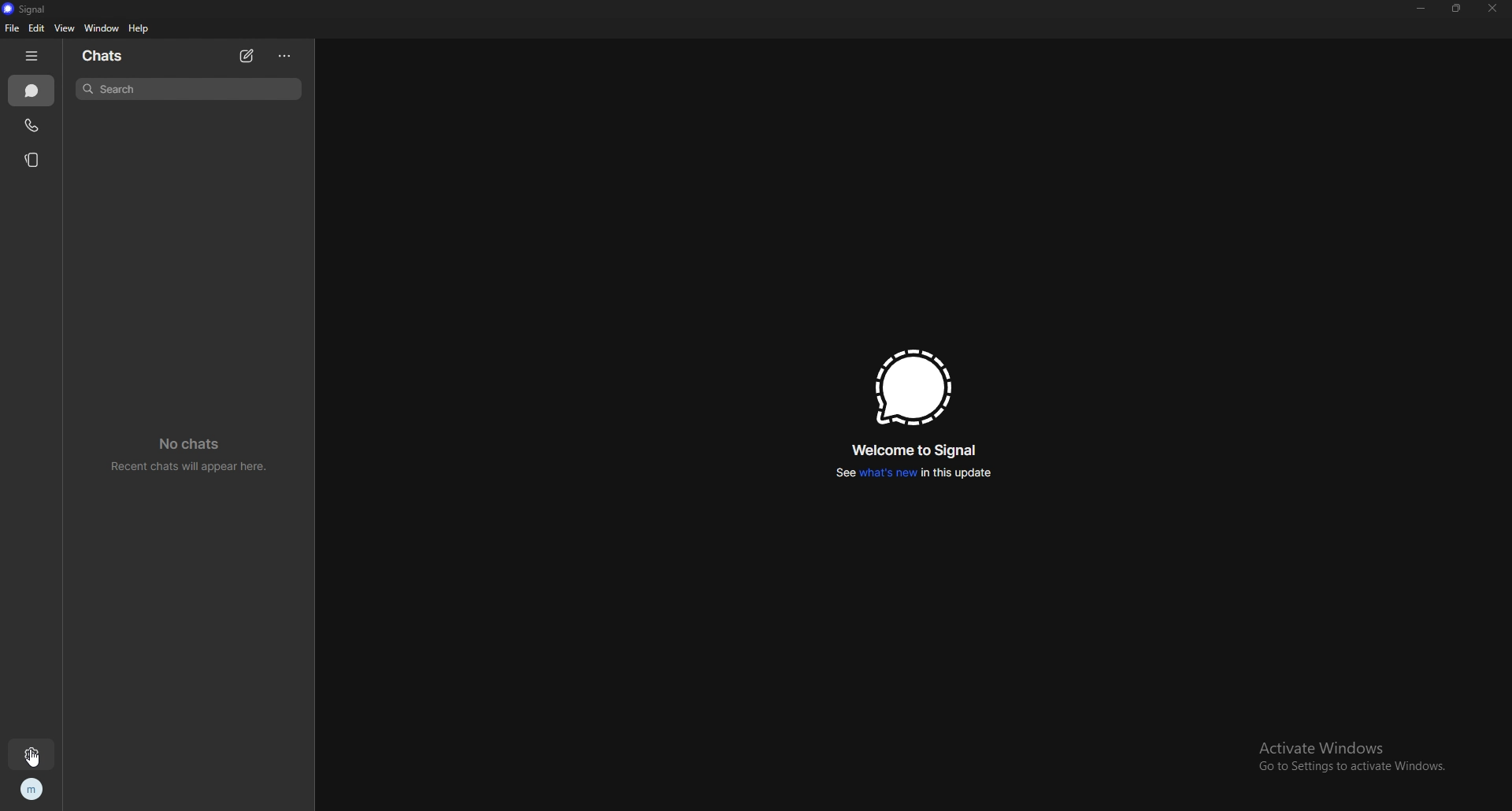  Describe the element at coordinates (140, 29) in the screenshot. I see `help` at that location.